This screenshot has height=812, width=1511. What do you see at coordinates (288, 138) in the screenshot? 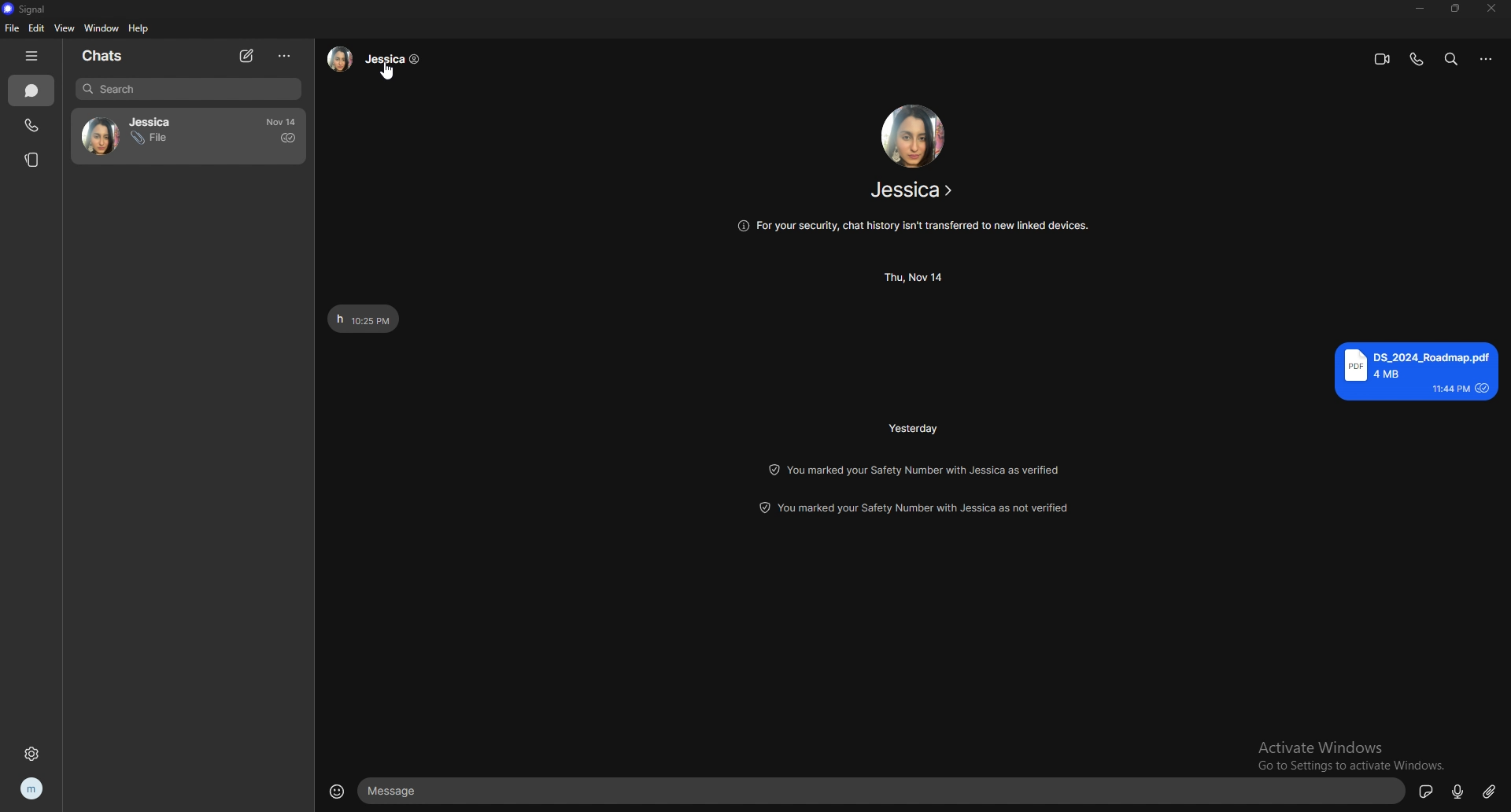
I see `delivered` at bounding box center [288, 138].